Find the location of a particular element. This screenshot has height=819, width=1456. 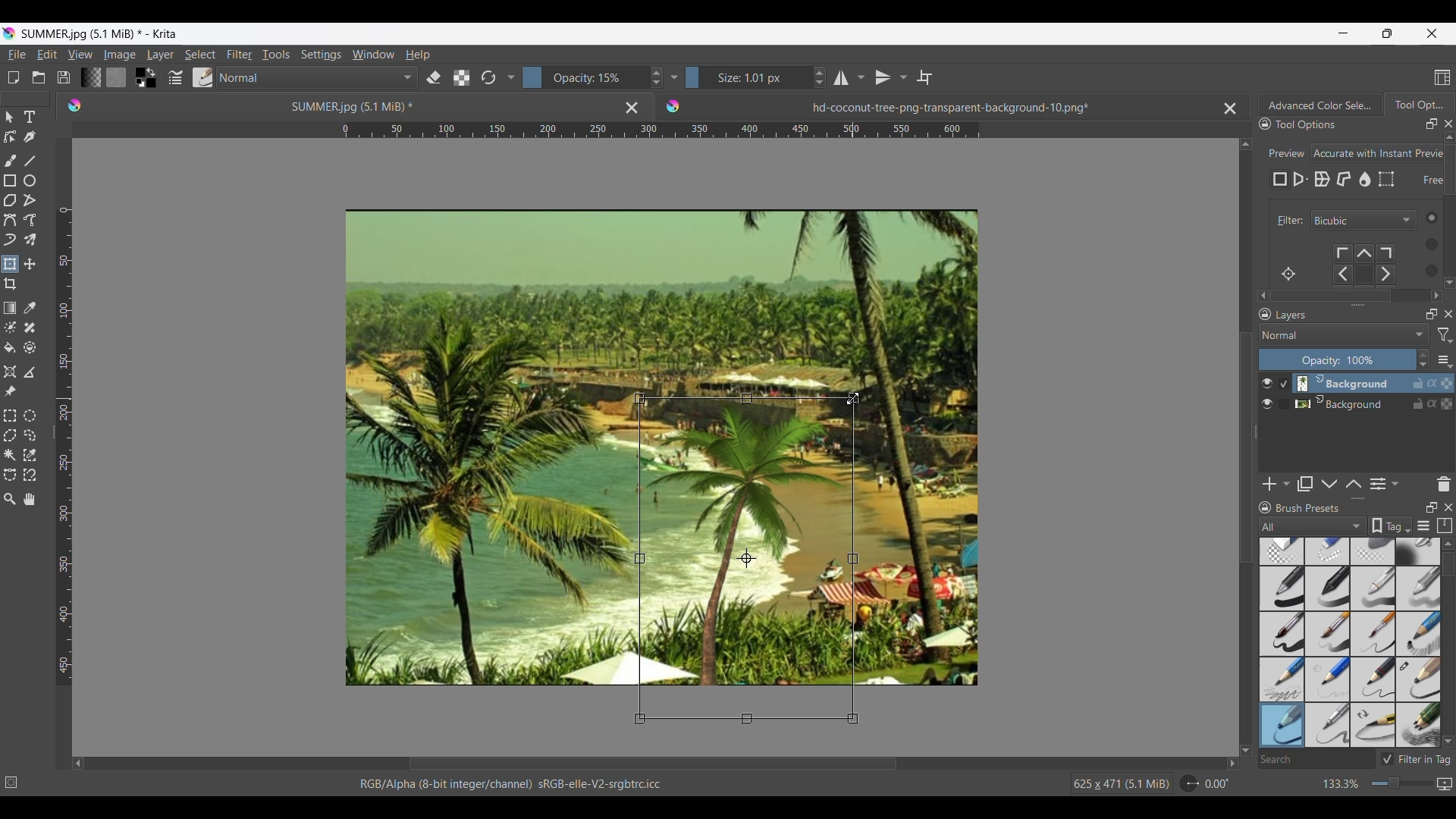

Image is located at coordinates (119, 55).